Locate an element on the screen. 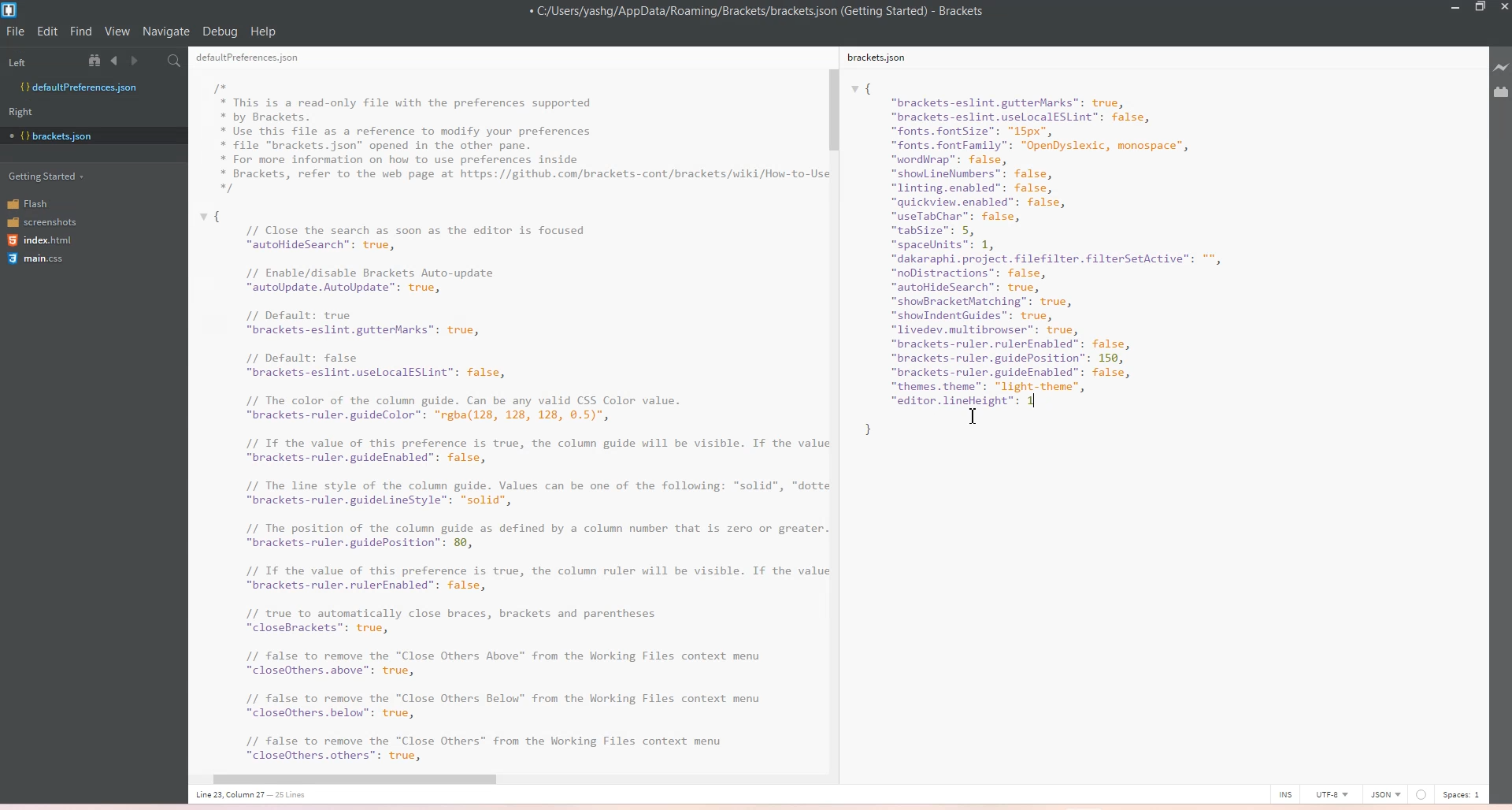 The width and height of the screenshot is (1512, 810). Navigate Forwards is located at coordinates (137, 61).